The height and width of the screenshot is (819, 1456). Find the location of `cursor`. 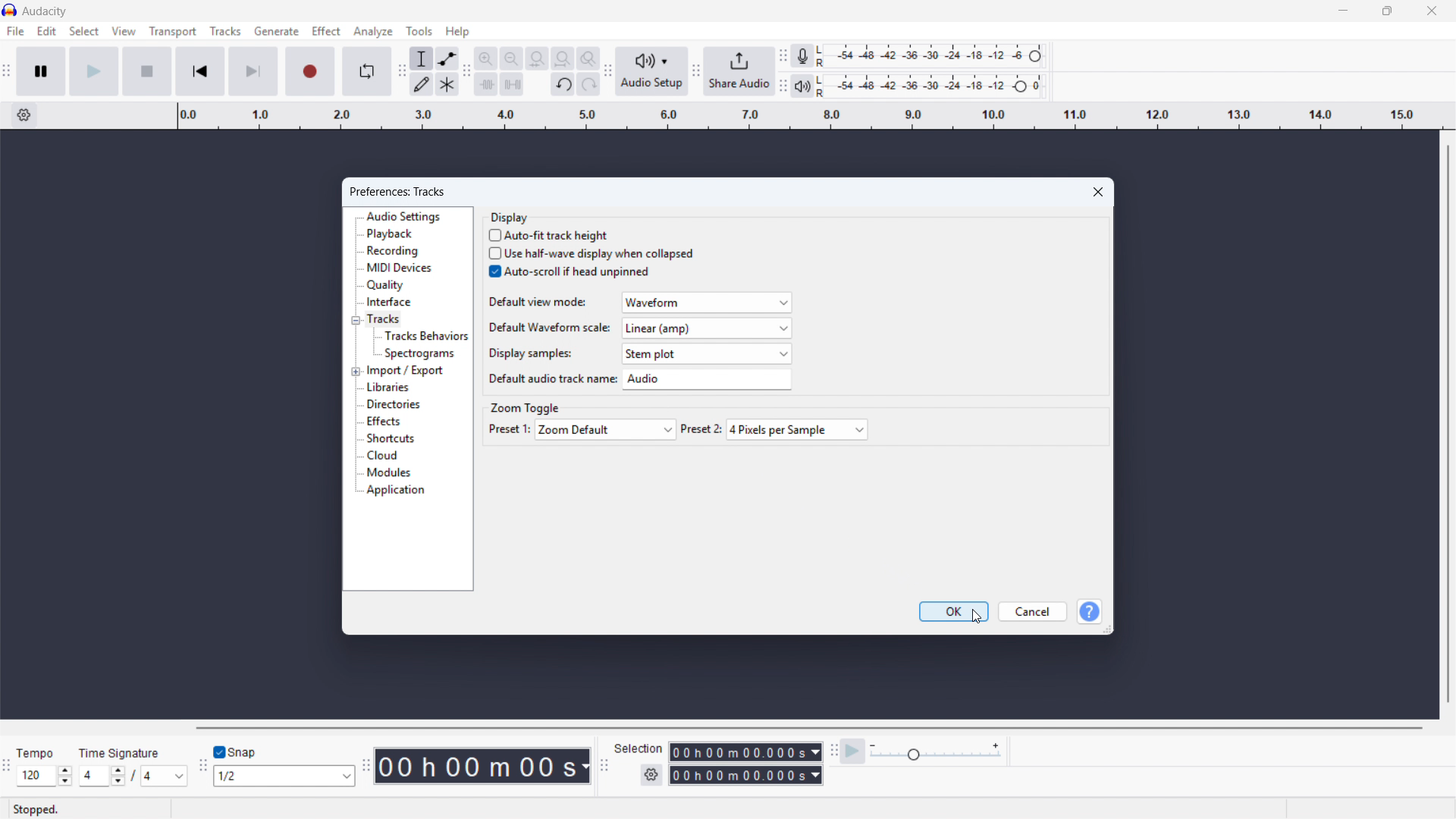

cursor is located at coordinates (493, 280).